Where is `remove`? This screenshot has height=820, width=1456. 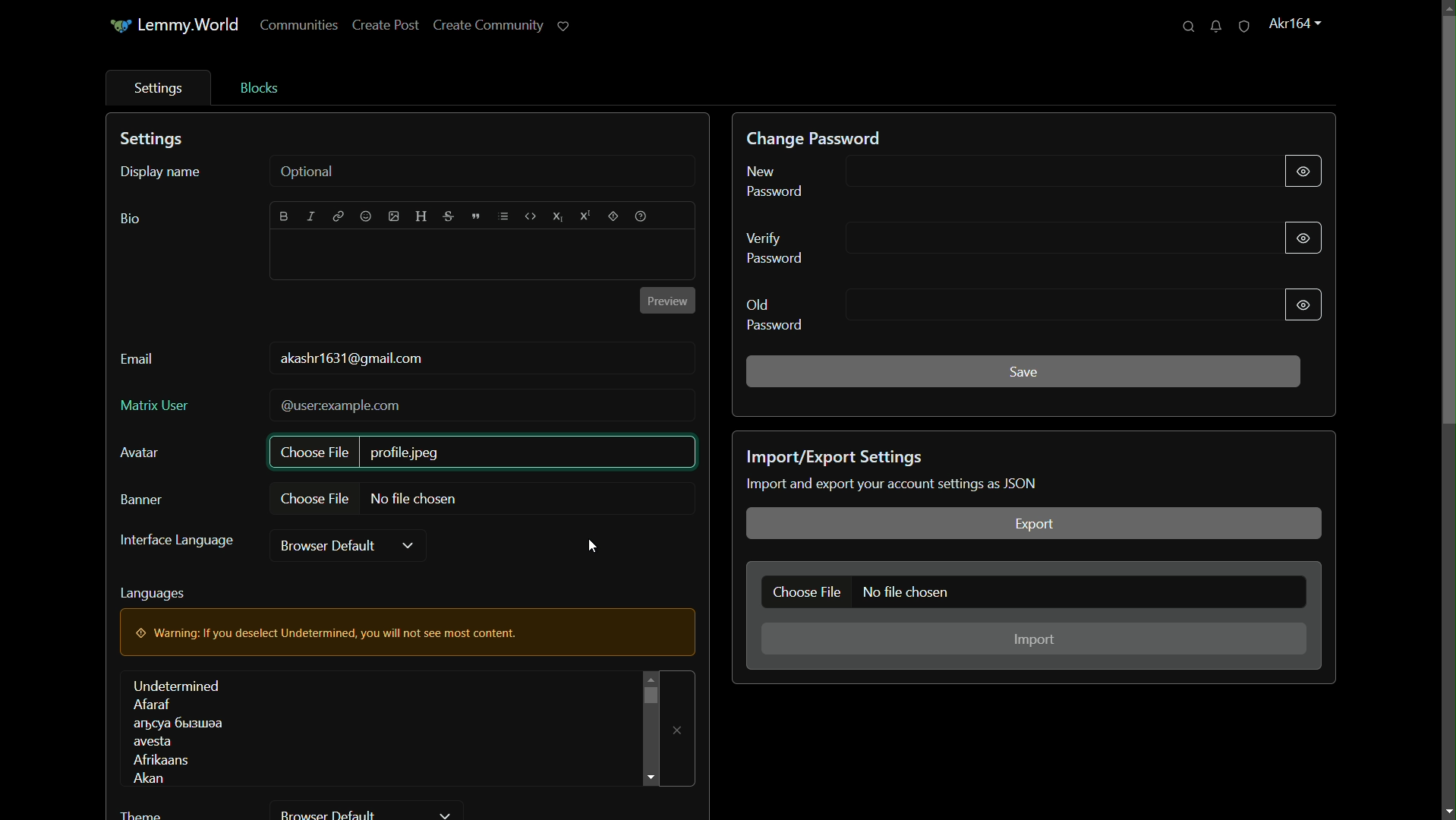 remove is located at coordinates (679, 730).